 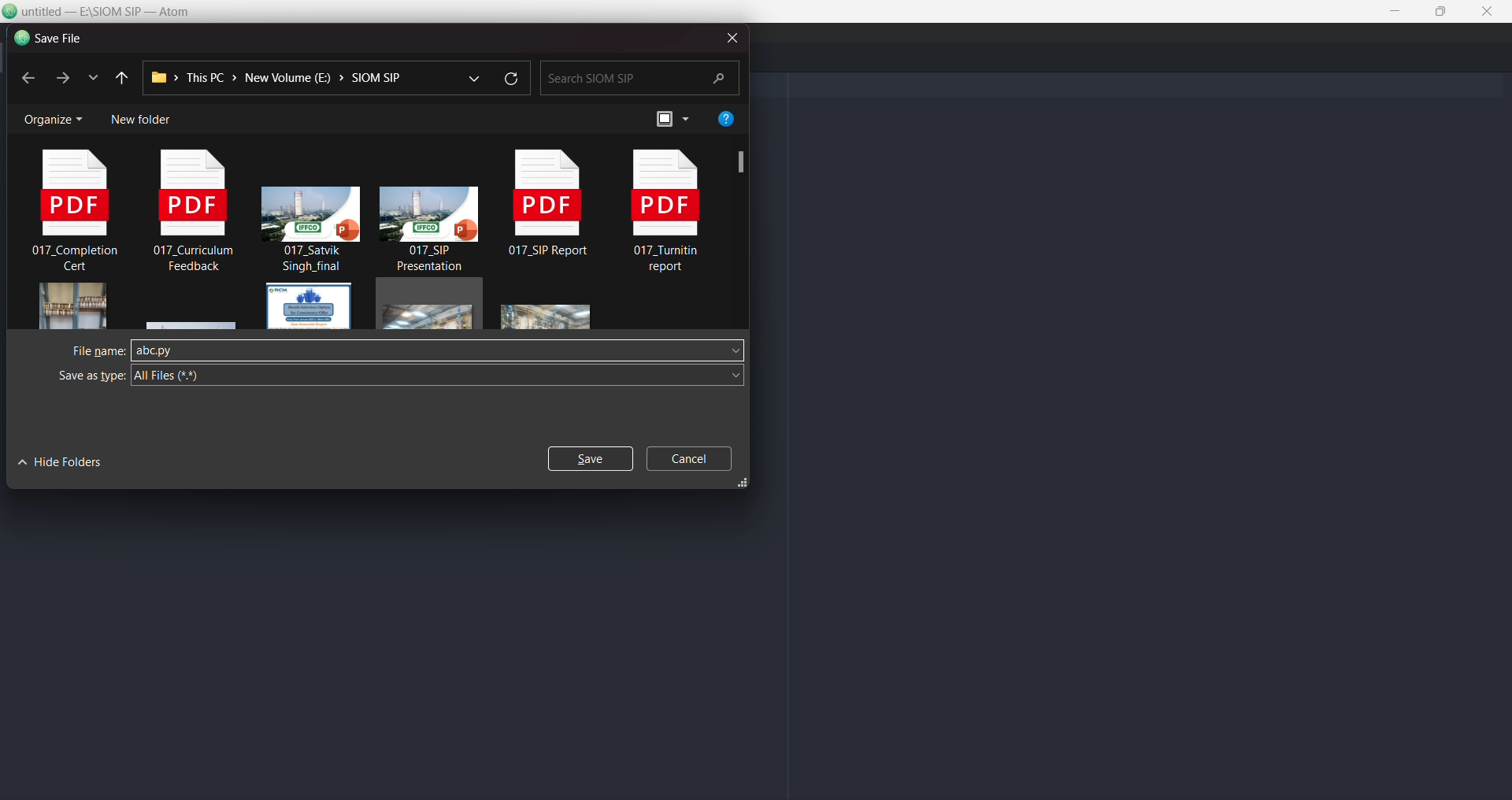 I want to click on list, so click(x=92, y=78).